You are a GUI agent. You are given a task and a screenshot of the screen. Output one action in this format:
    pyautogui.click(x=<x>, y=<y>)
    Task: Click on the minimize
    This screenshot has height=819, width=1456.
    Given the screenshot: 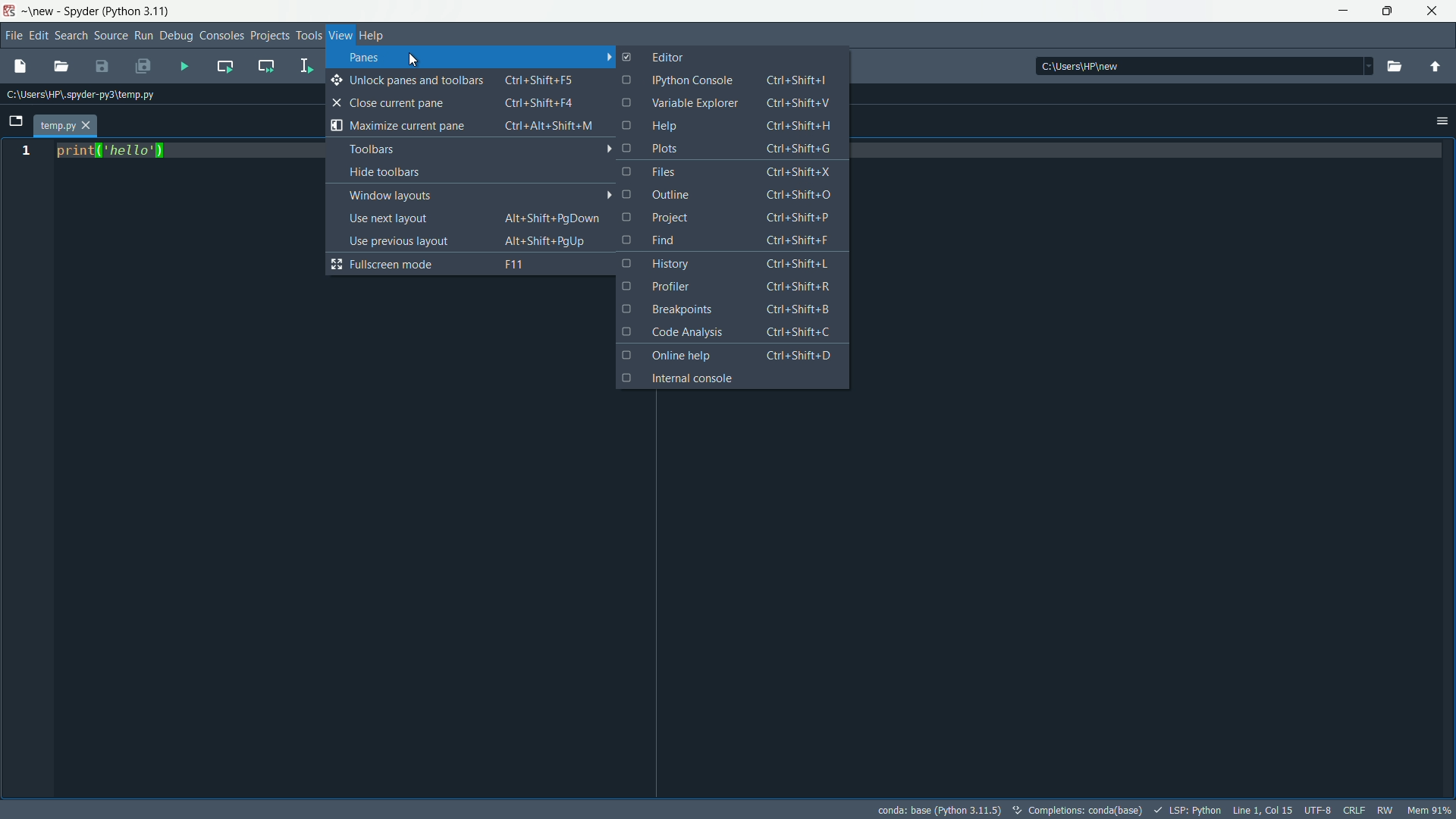 What is the action you would take?
    pyautogui.click(x=1347, y=11)
    